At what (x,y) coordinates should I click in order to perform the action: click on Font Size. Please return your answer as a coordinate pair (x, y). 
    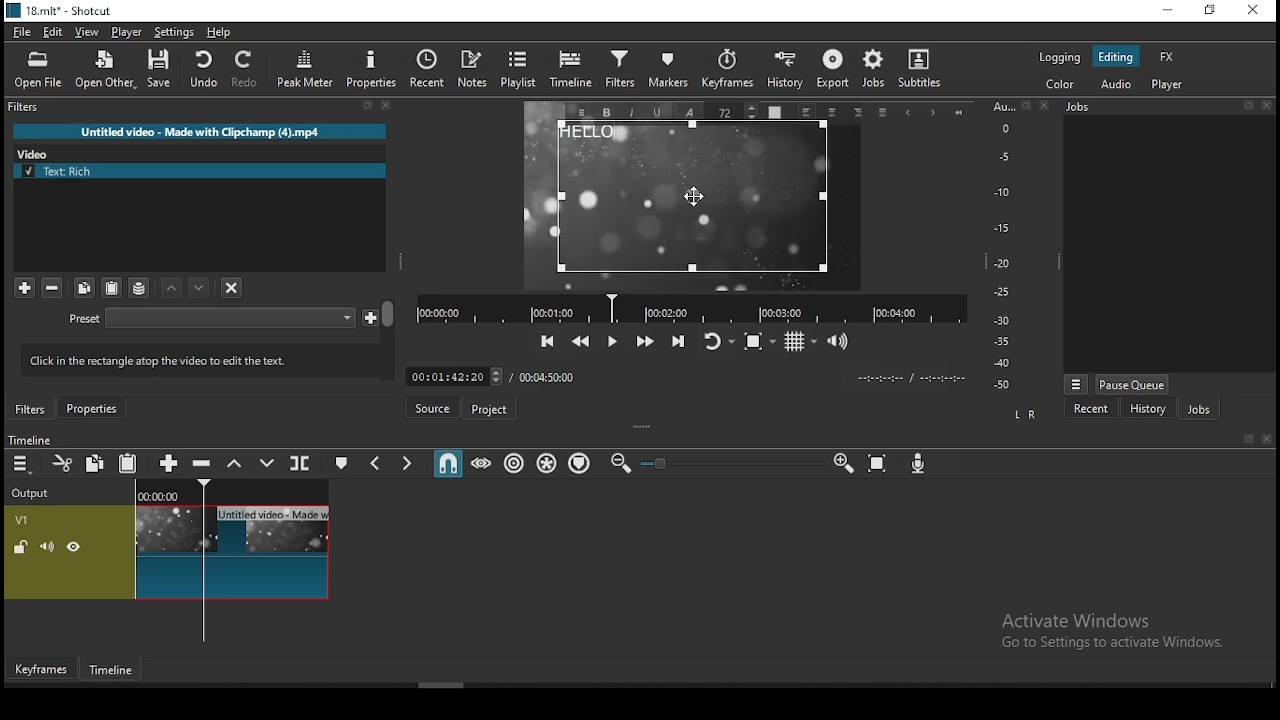
    Looking at the image, I should click on (734, 111).